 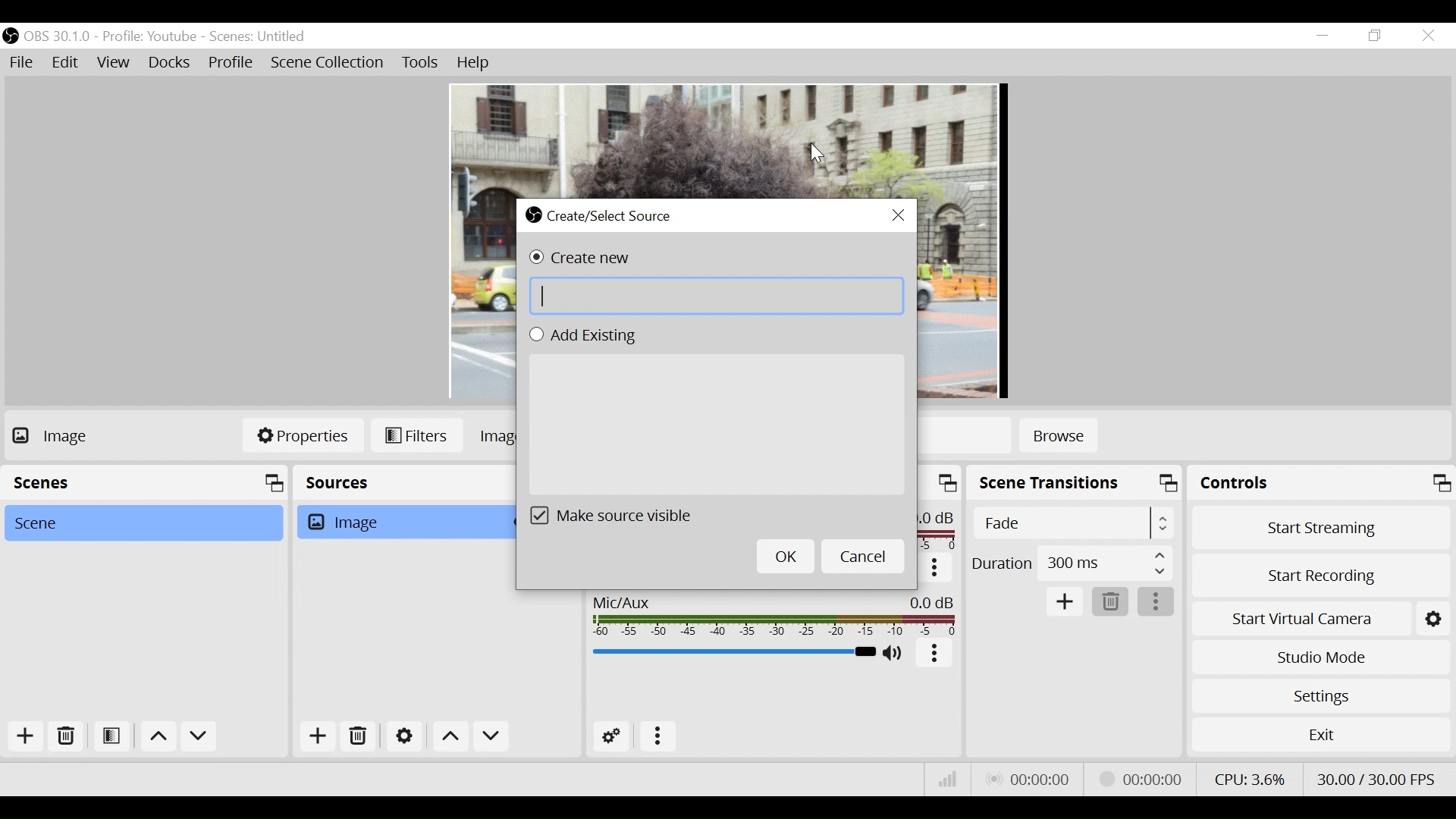 What do you see at coordinates (201, 737) in the screenshot?
I see `Move down` at bounding box center [201, 737].